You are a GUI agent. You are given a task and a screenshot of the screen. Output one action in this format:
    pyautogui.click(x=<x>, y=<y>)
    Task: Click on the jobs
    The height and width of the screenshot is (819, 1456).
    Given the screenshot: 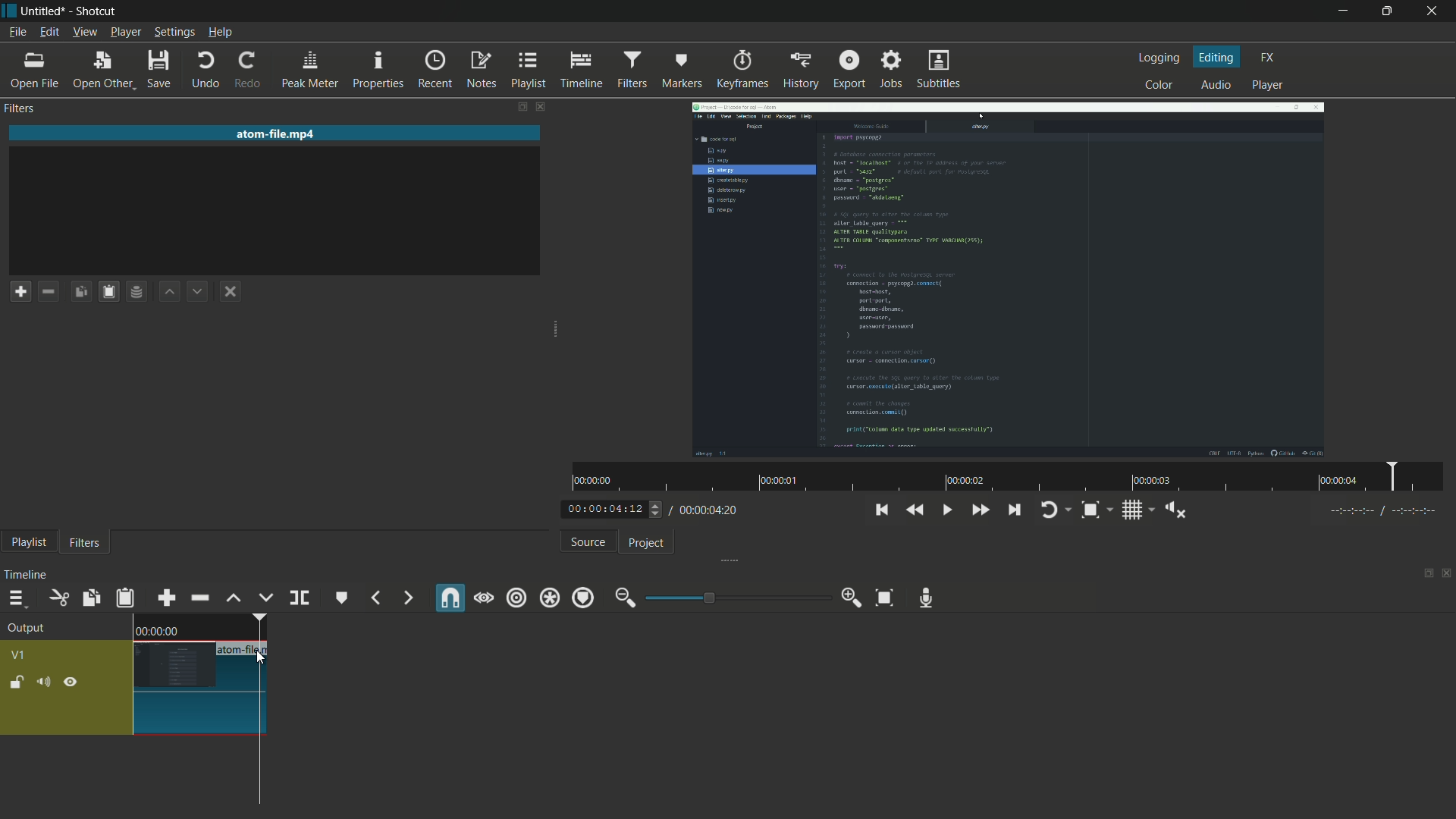 What is the action you would take?
    pyautogui.click(x=891, y=69)
    